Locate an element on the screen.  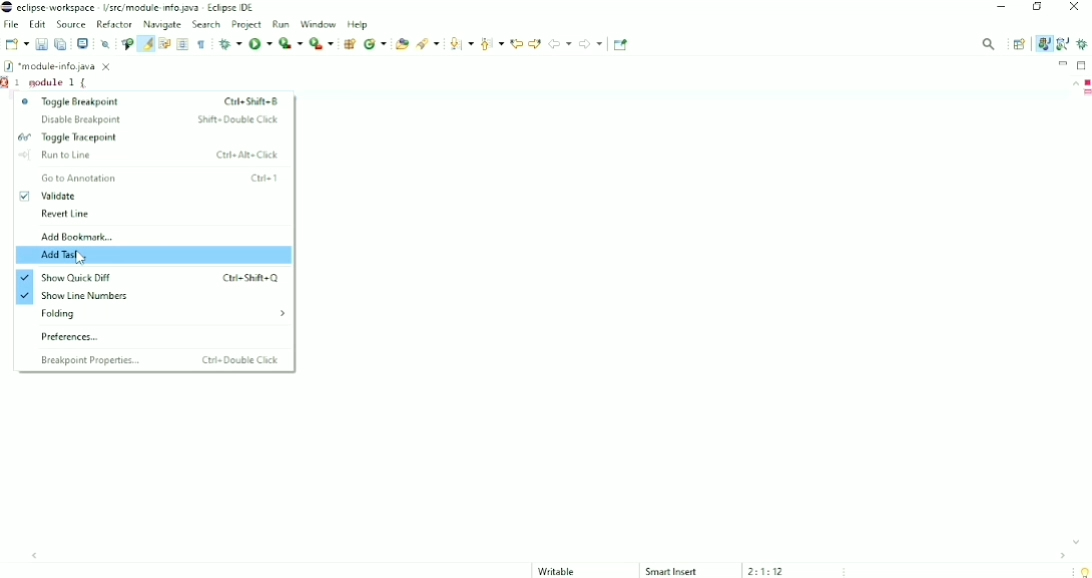
Pin Editor is located at coordinates (623, 44).